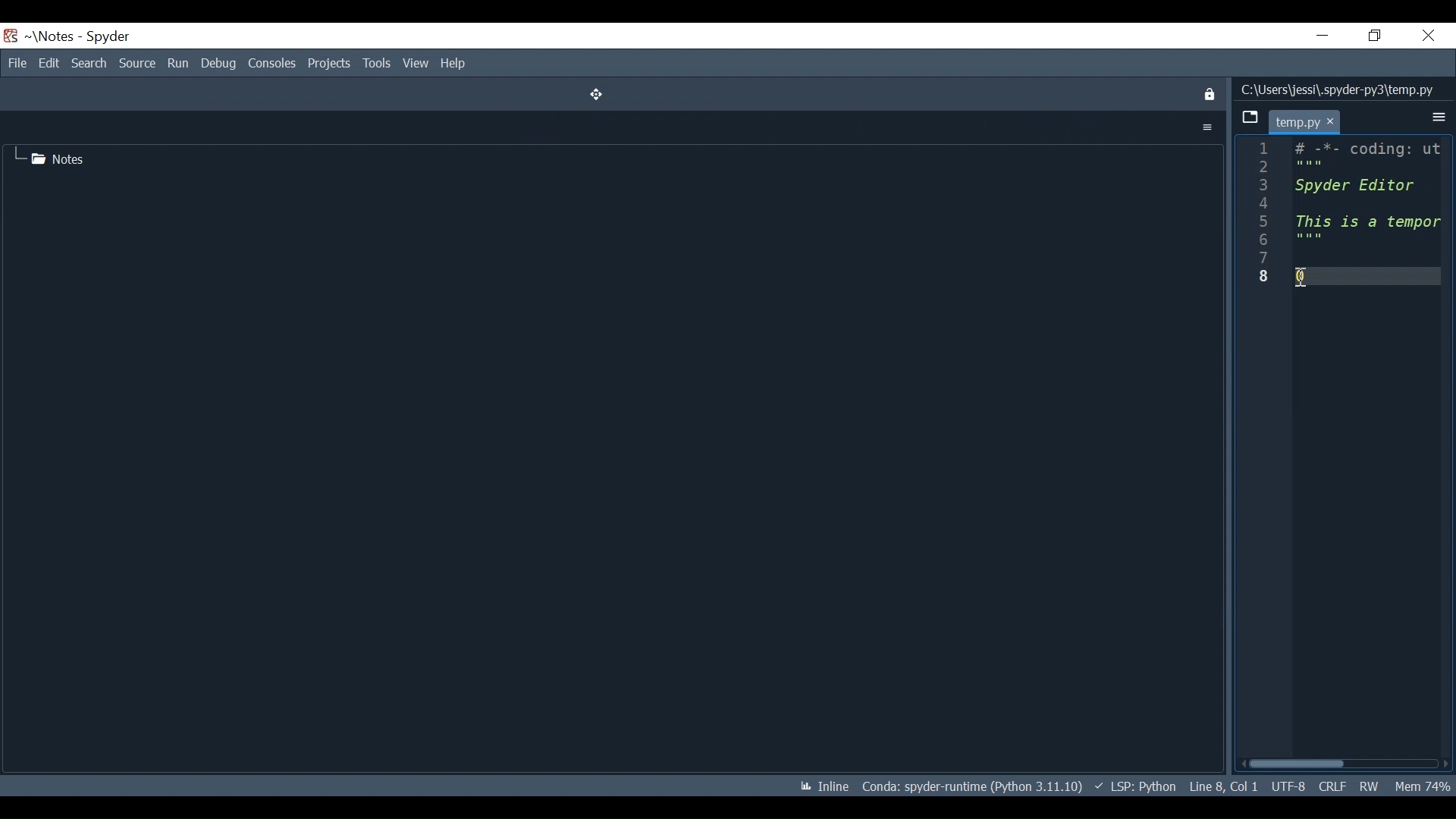 The height and width of the screenshot is (819, 1456). What do you see at coordinates (972, 786) in the screenshot?
I see `Conda: spyder-runtime (Python 3.11.10)` at bounding box center [972, 786].